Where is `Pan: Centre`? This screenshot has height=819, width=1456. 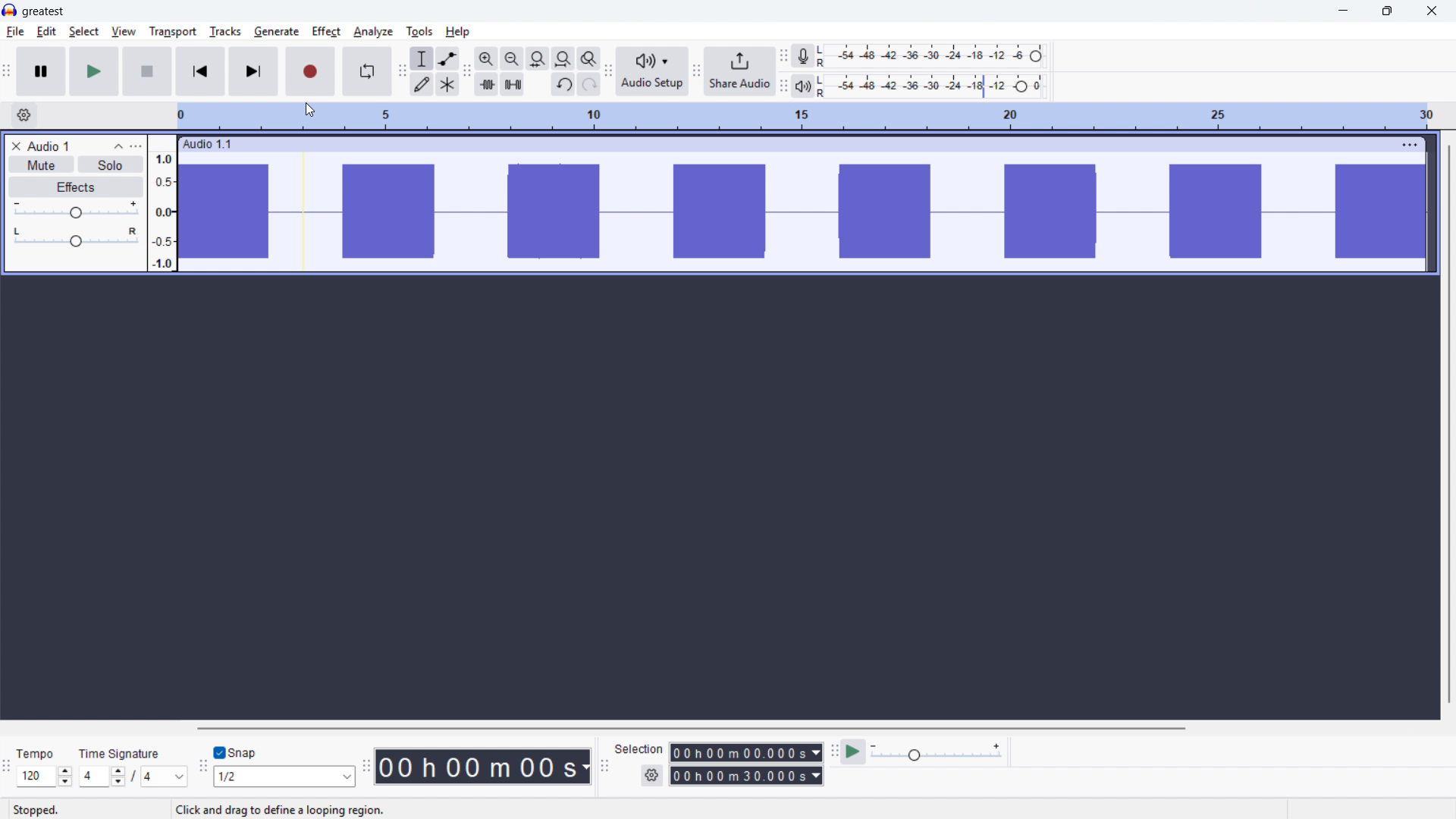
Pan: Centre is located at coordinates (74, 236).